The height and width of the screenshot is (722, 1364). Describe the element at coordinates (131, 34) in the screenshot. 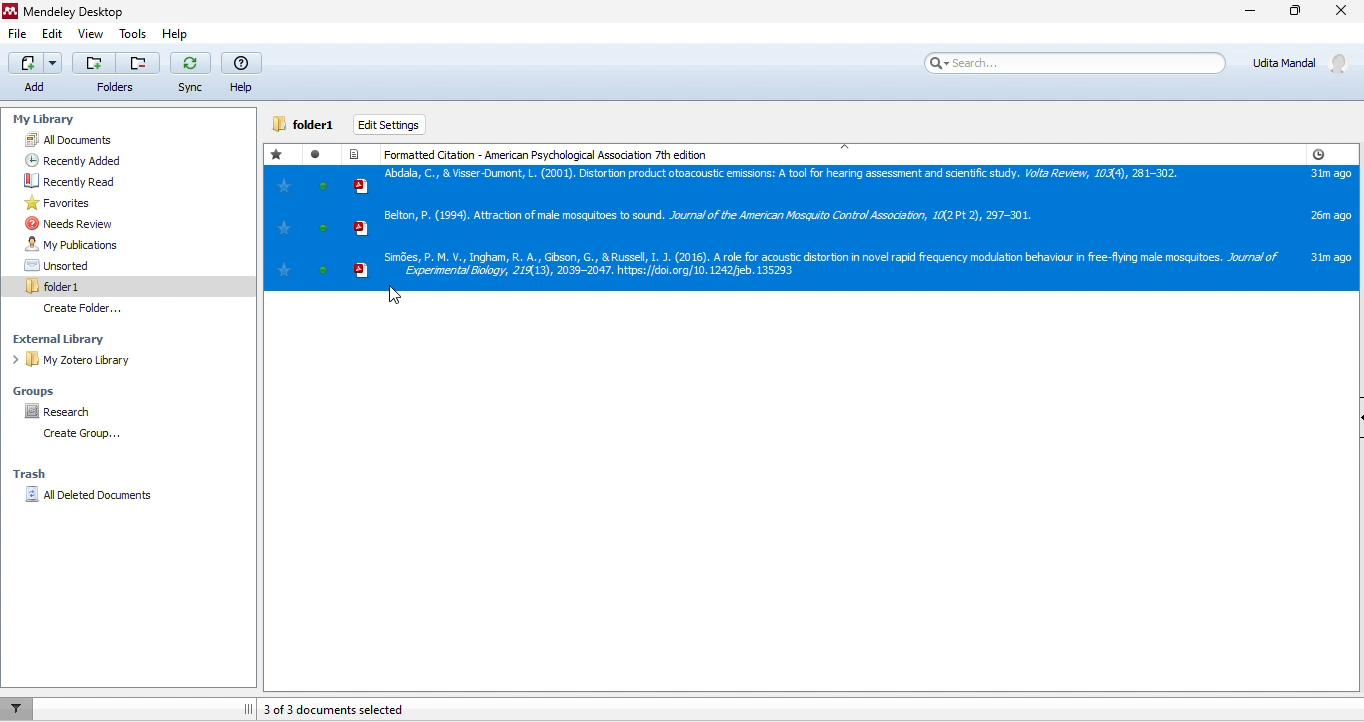

I see `tools` at that location.